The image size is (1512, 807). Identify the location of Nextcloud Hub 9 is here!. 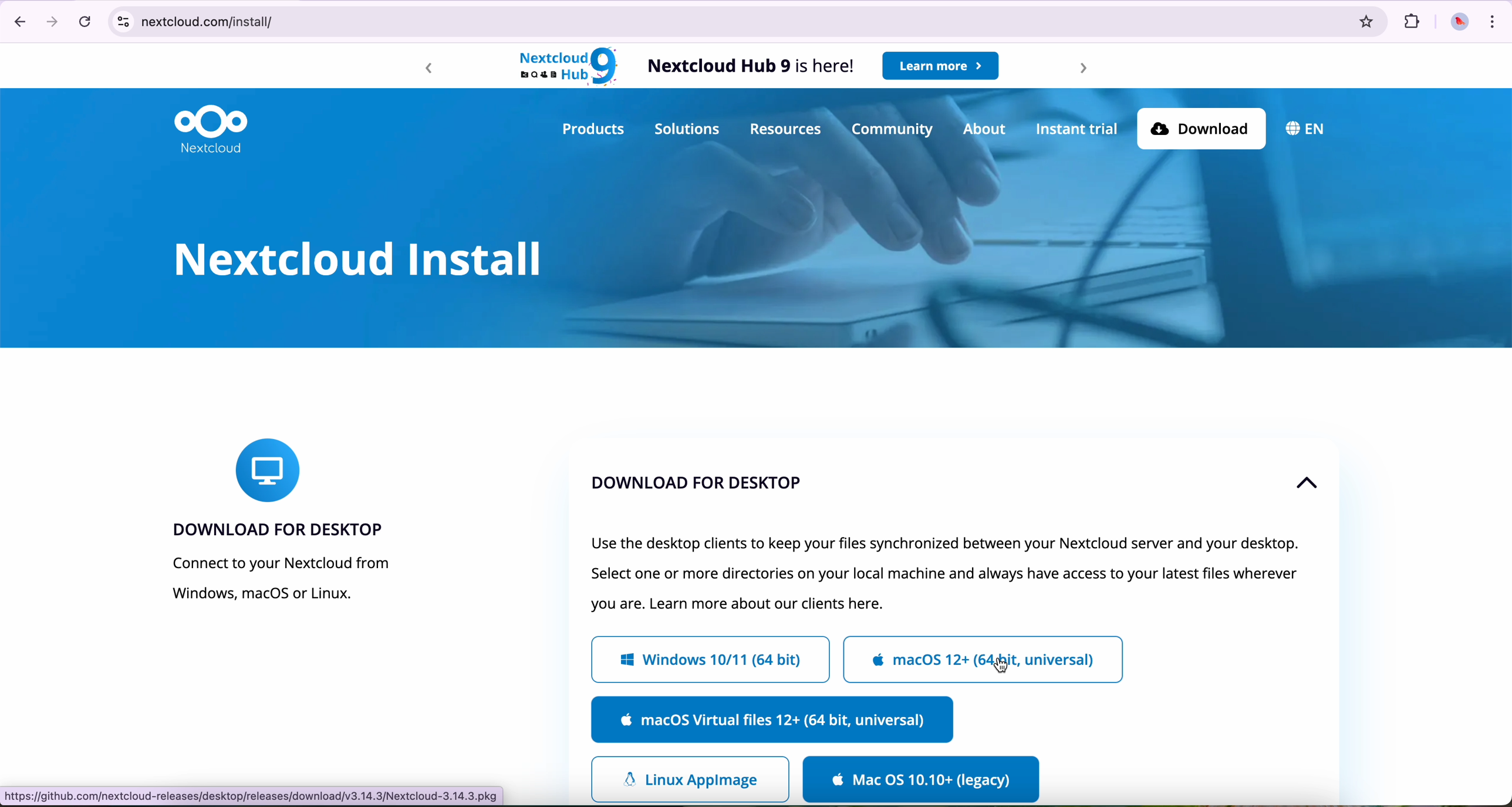
(747, 64).